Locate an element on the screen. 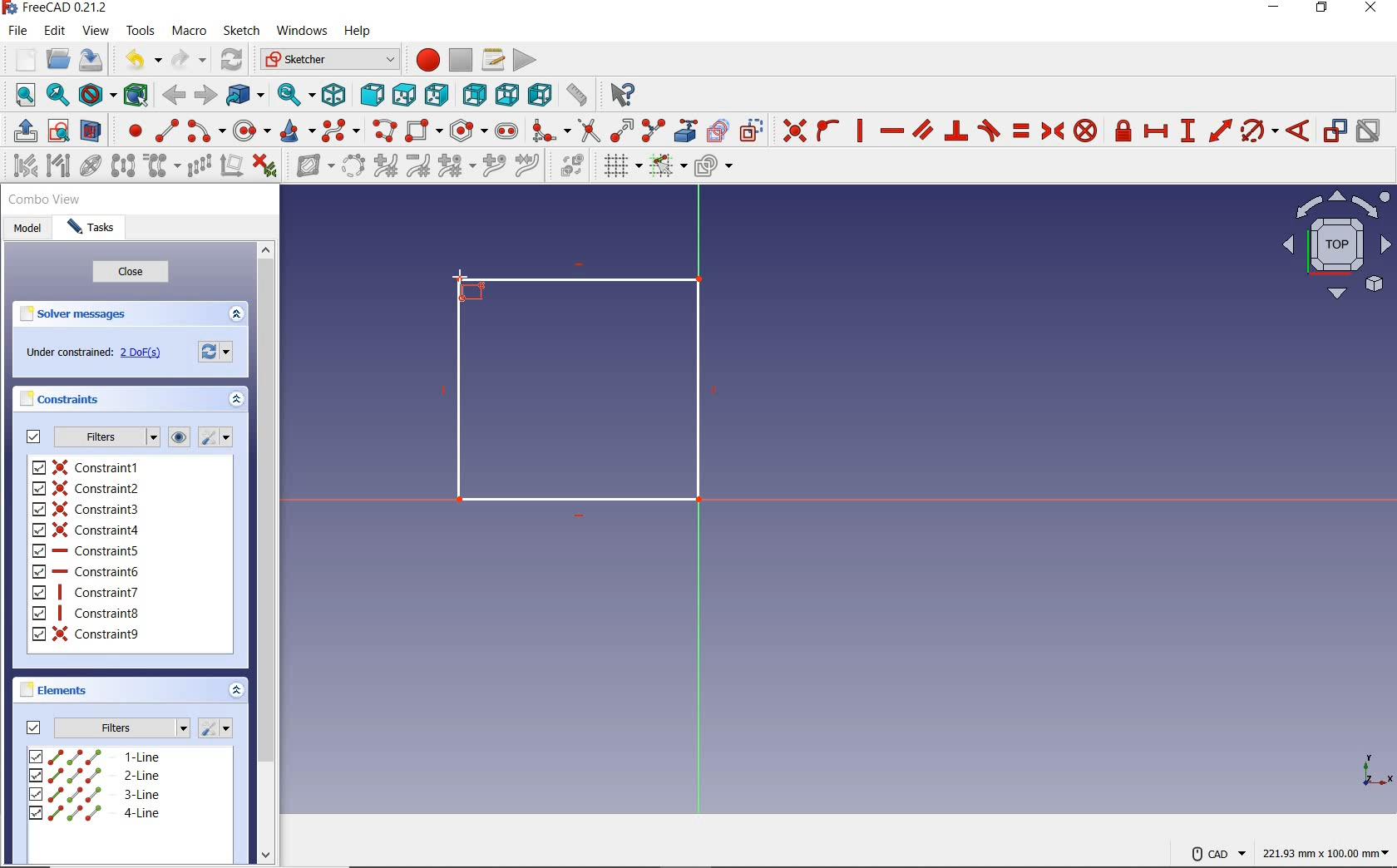  constrain point onto object is located at coordinates (827, 130).